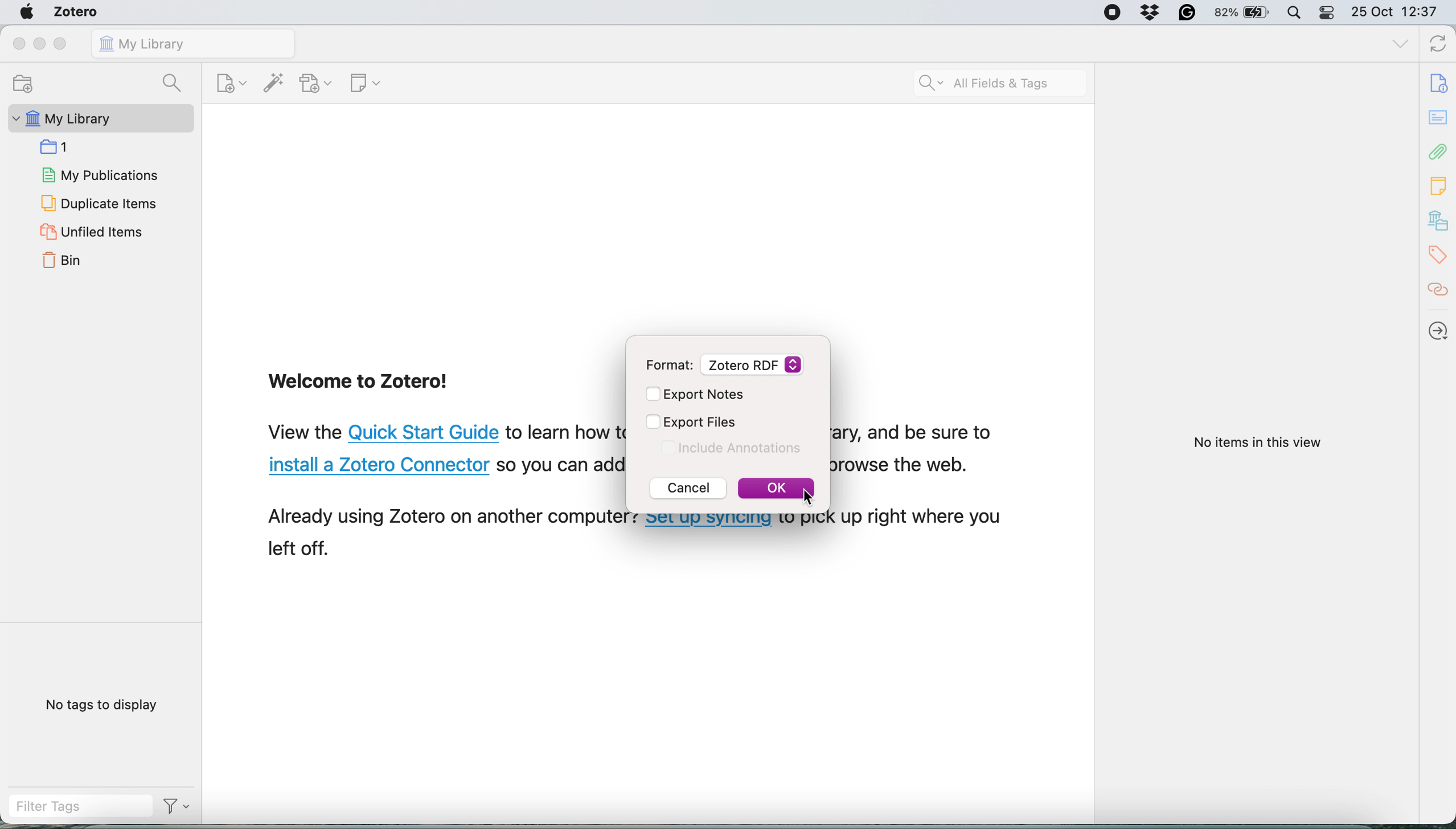  Describe the element at coordinates (17, 44) in the screenshot. I see `close` at that location.